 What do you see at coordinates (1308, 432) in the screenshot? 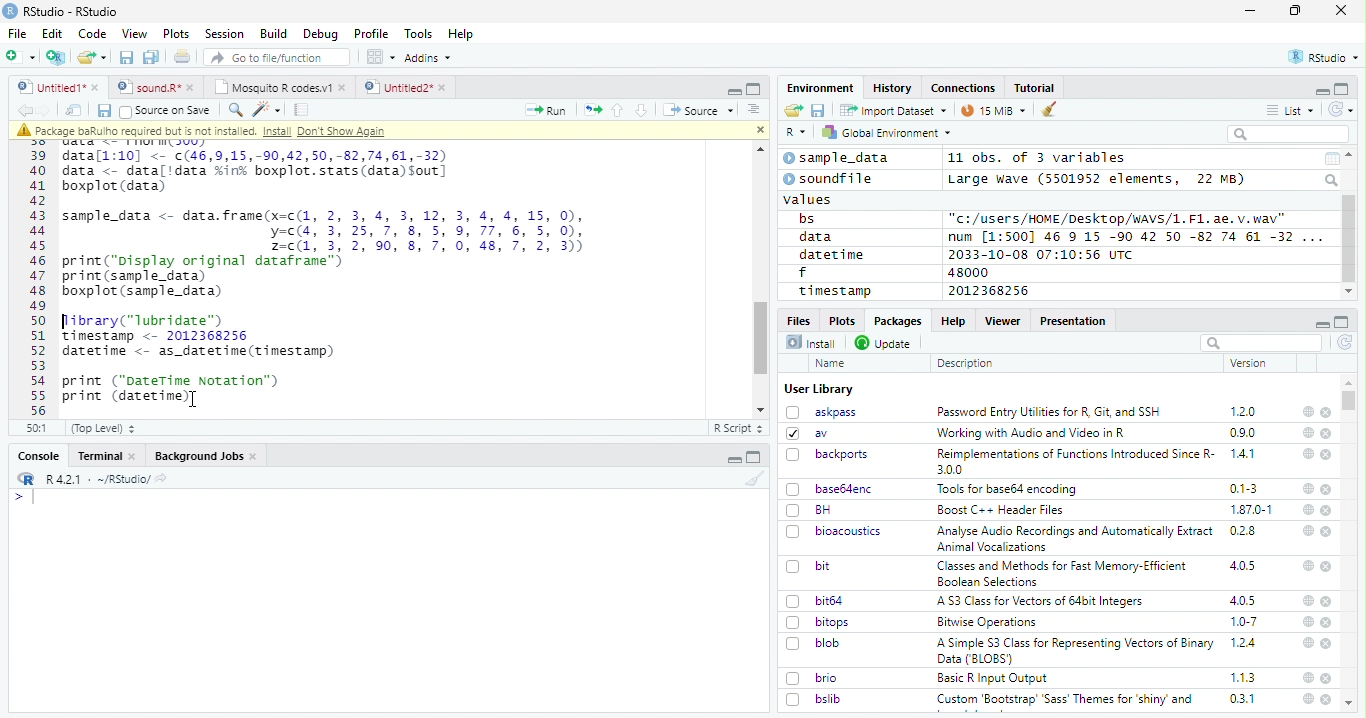
I see `help` at bounding box center [1308, 432].